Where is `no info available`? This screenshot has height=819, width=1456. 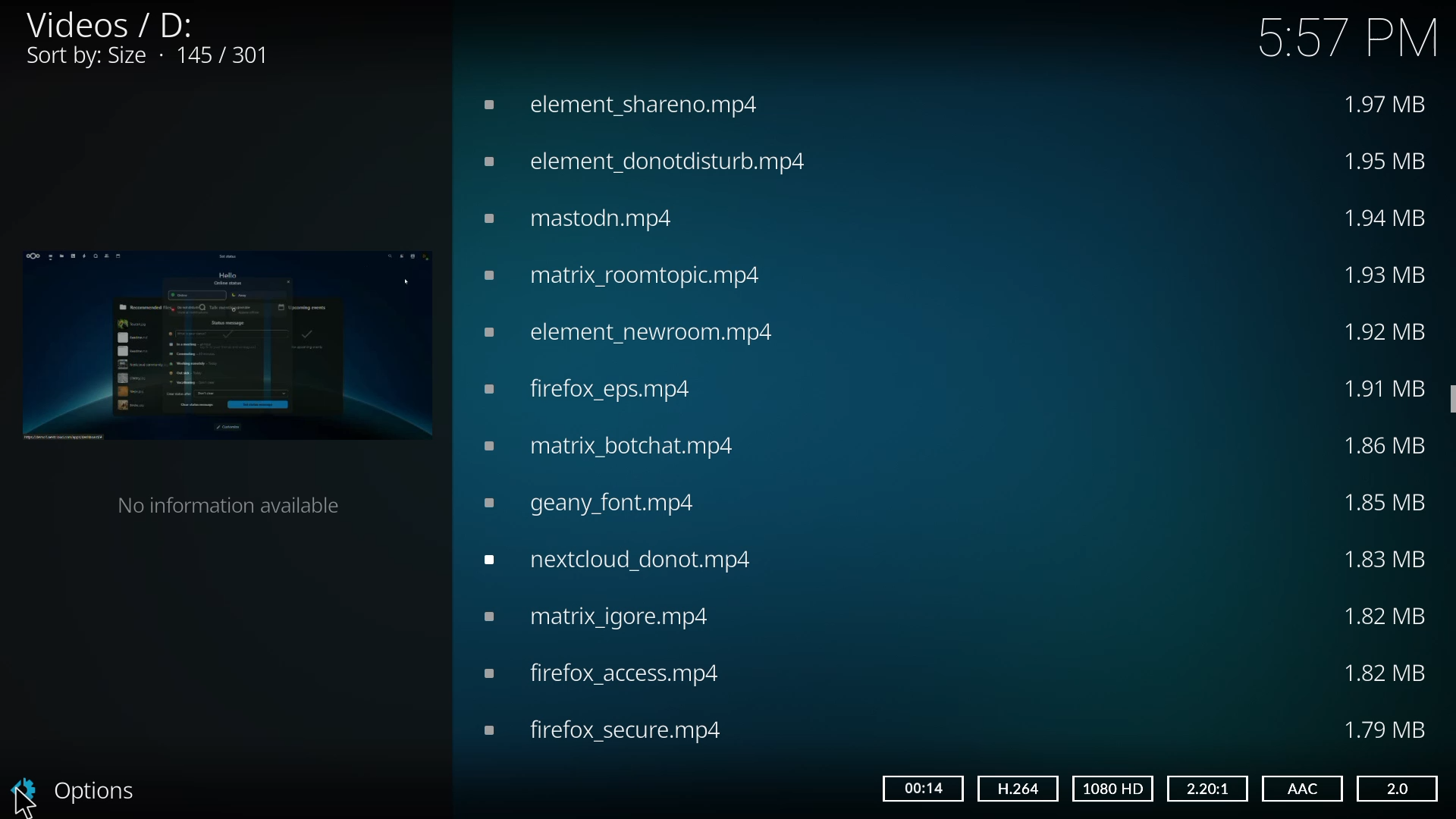 no info available is located at coordinates (235, 503).